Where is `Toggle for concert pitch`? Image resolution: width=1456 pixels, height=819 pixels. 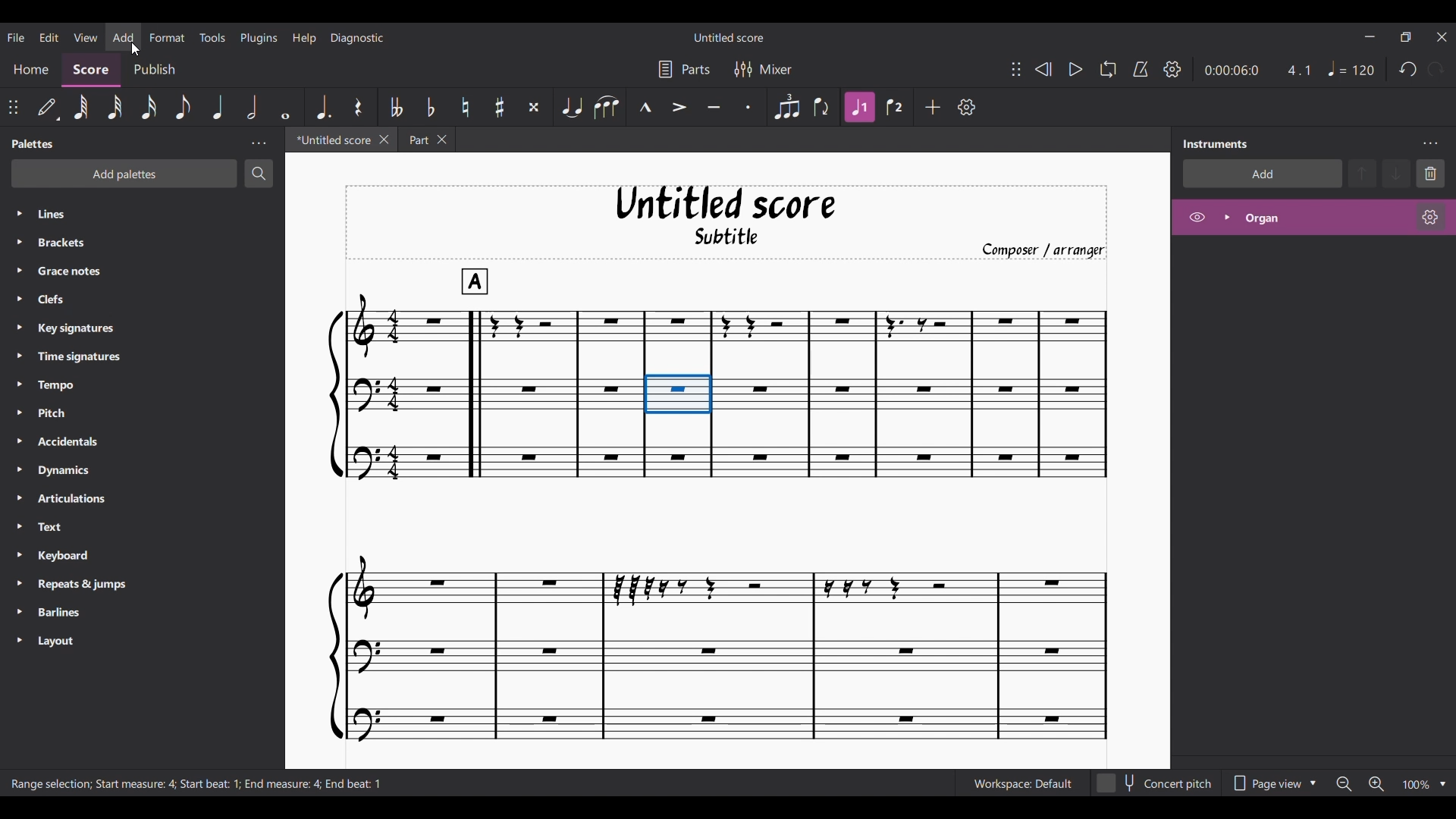
Toggle for concert pitch is located at coordinates (1155, 783).